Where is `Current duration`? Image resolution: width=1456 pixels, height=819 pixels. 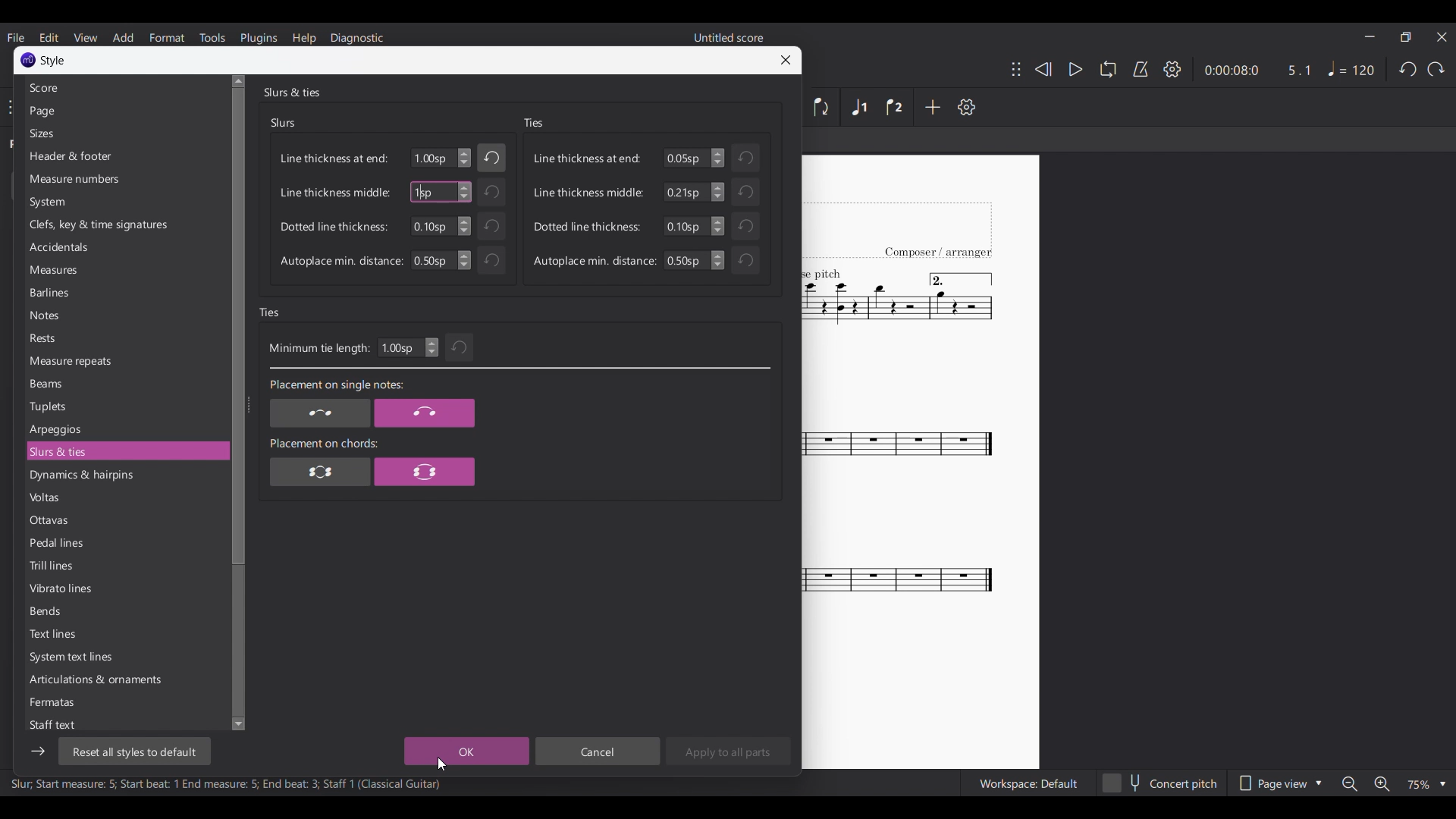
Current duration is located at coordinates (1229, 70).